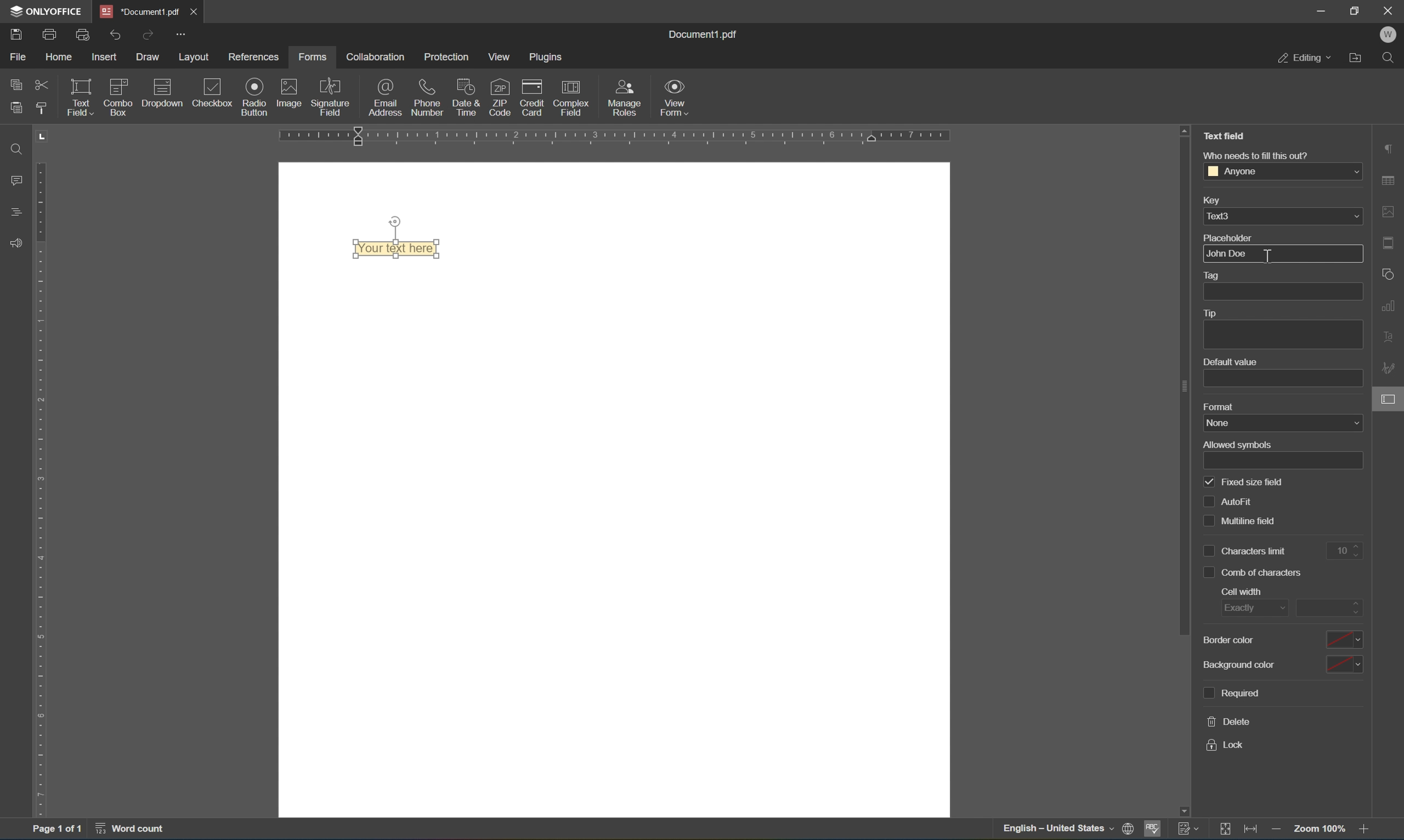 Image resolution: width=1404 pixels, height=840 pixels. I want to click on email address, so click(386, 97).